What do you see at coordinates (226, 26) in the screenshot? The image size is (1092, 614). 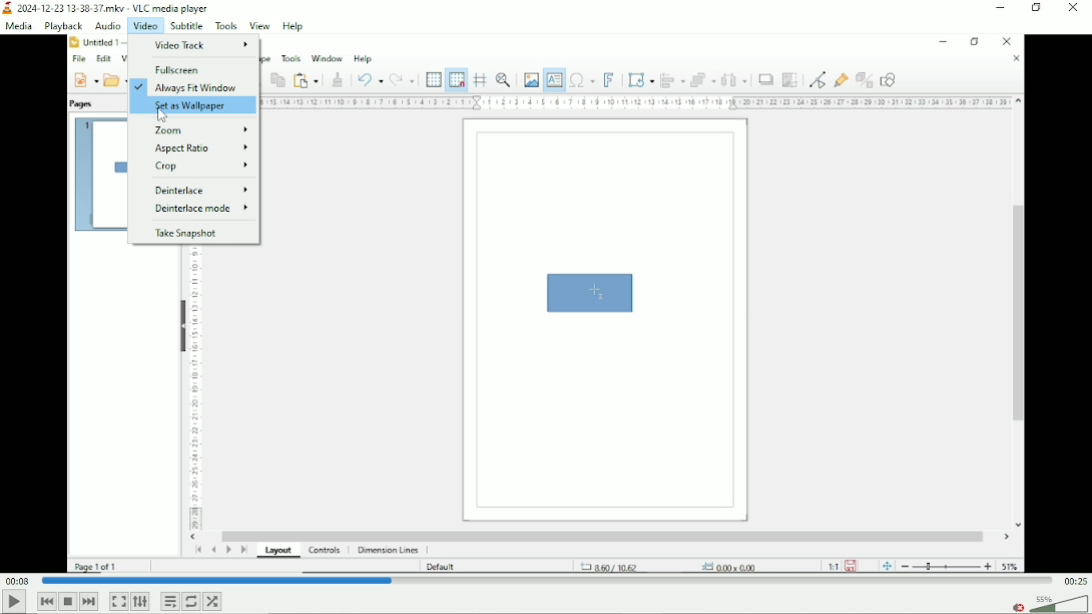 I see `Tools` at bounding box center [226, 26].